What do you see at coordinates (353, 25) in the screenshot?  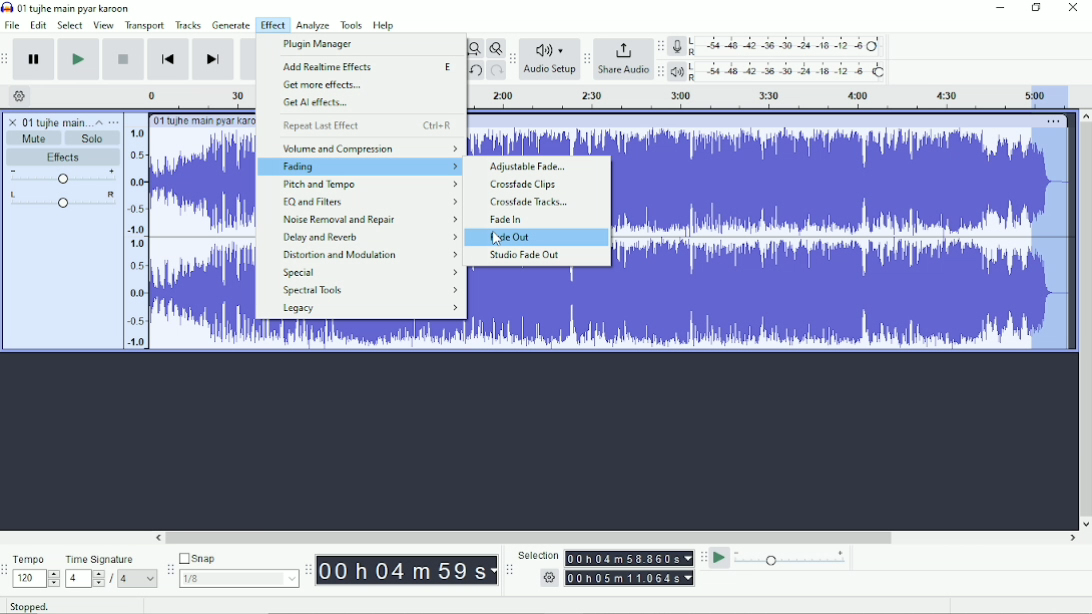 I see `Tools` at bounding box center [353, 25].